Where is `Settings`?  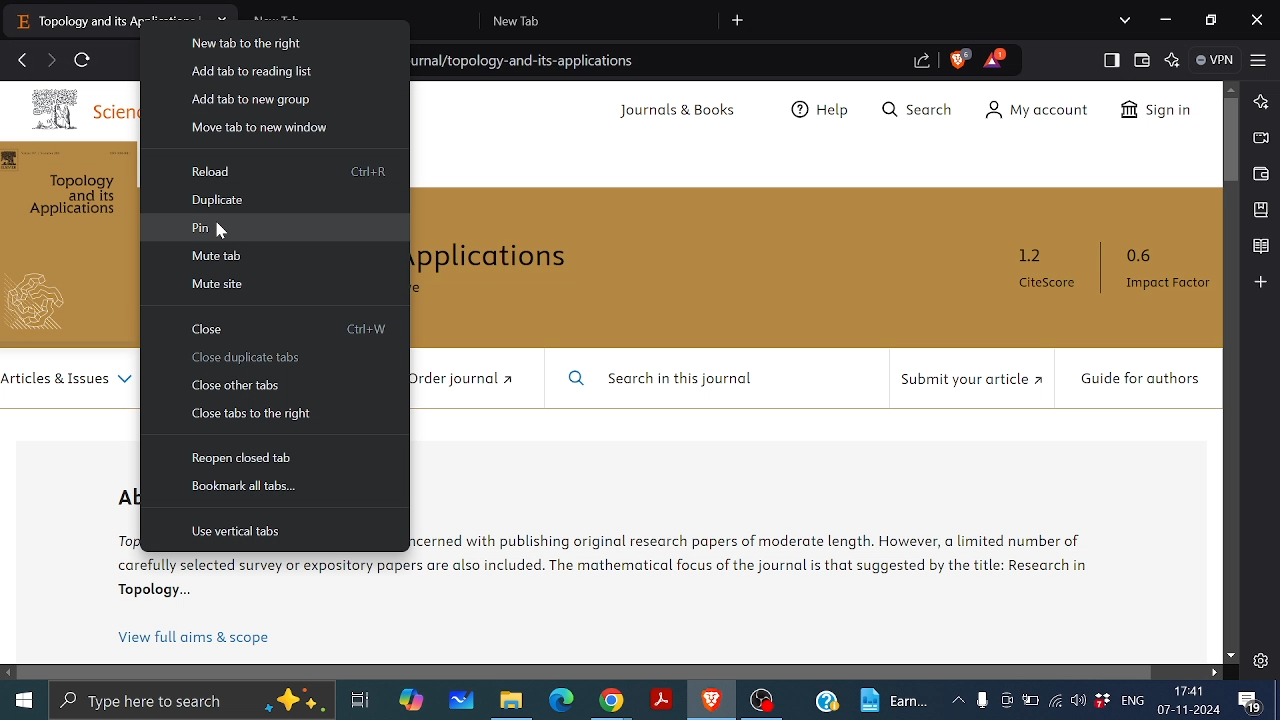
Settings is located at coordinates (1261, 658).